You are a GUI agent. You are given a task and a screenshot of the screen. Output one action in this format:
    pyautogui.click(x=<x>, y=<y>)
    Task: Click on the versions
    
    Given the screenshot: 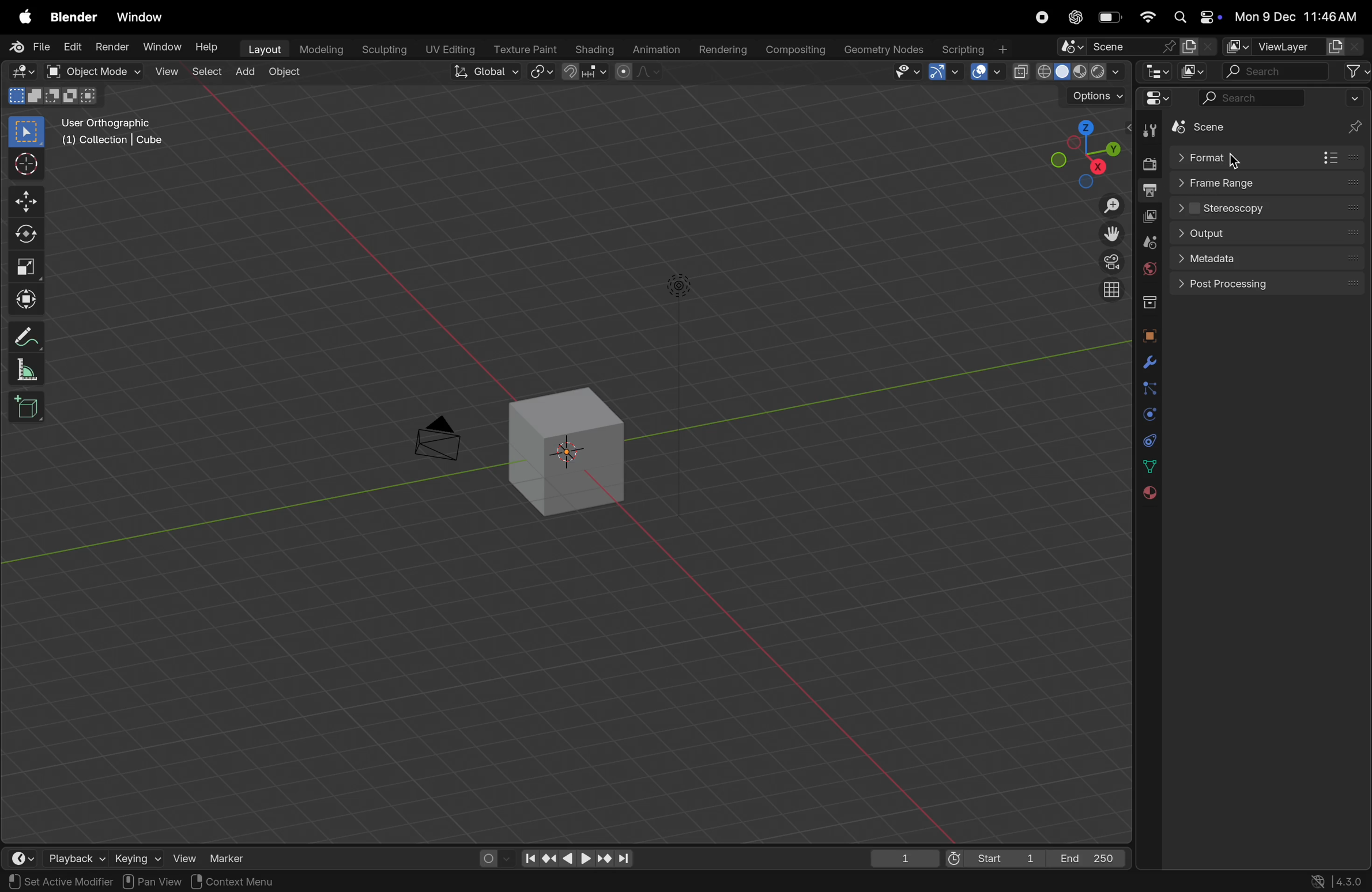 What is the action you would take?
    pyautogui.click(x=1337, y=881)
    